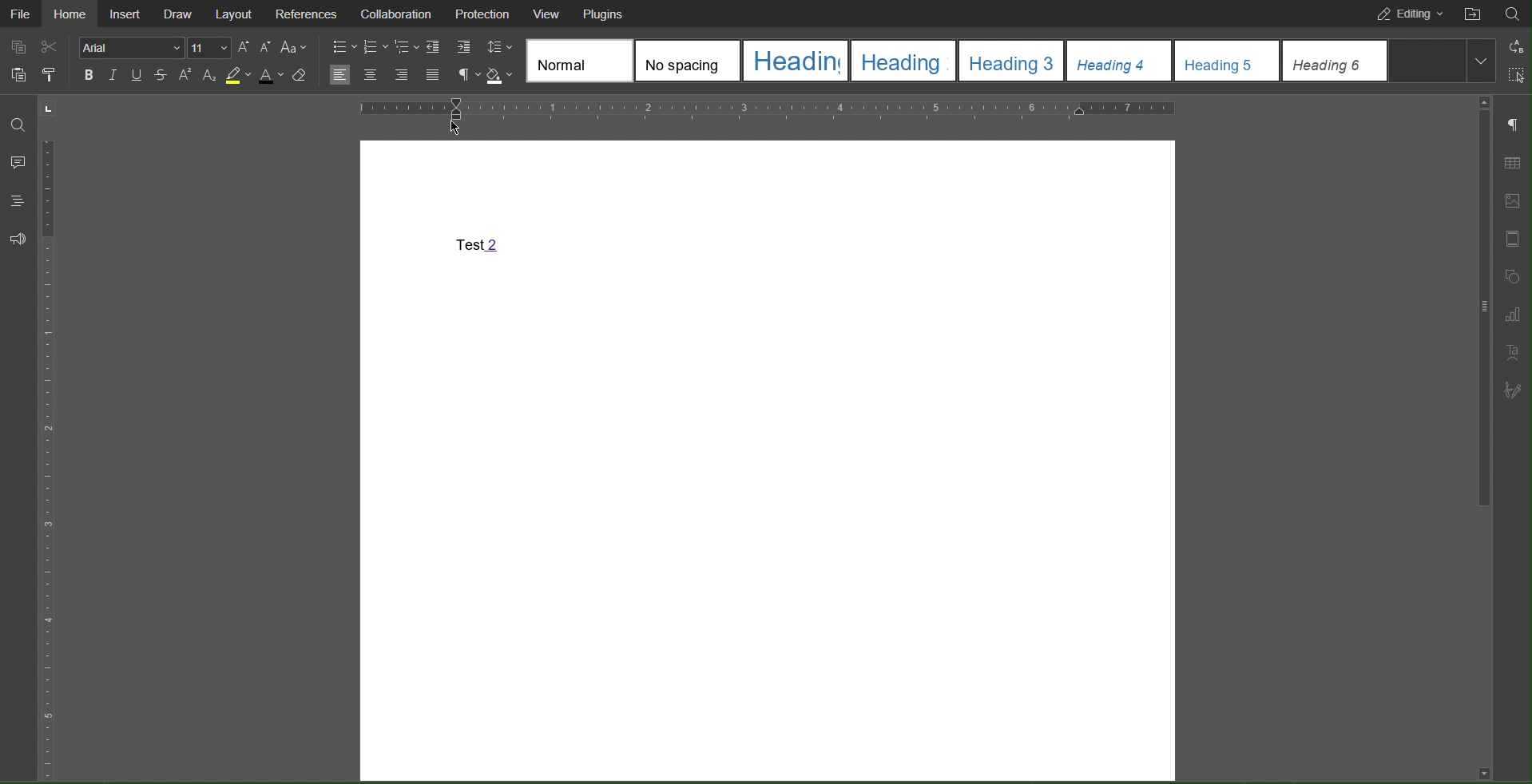  What do you see at coordinates (1335, 61) in the screenshot?
I see `Heading 6` at bounding box center [1335, 61].